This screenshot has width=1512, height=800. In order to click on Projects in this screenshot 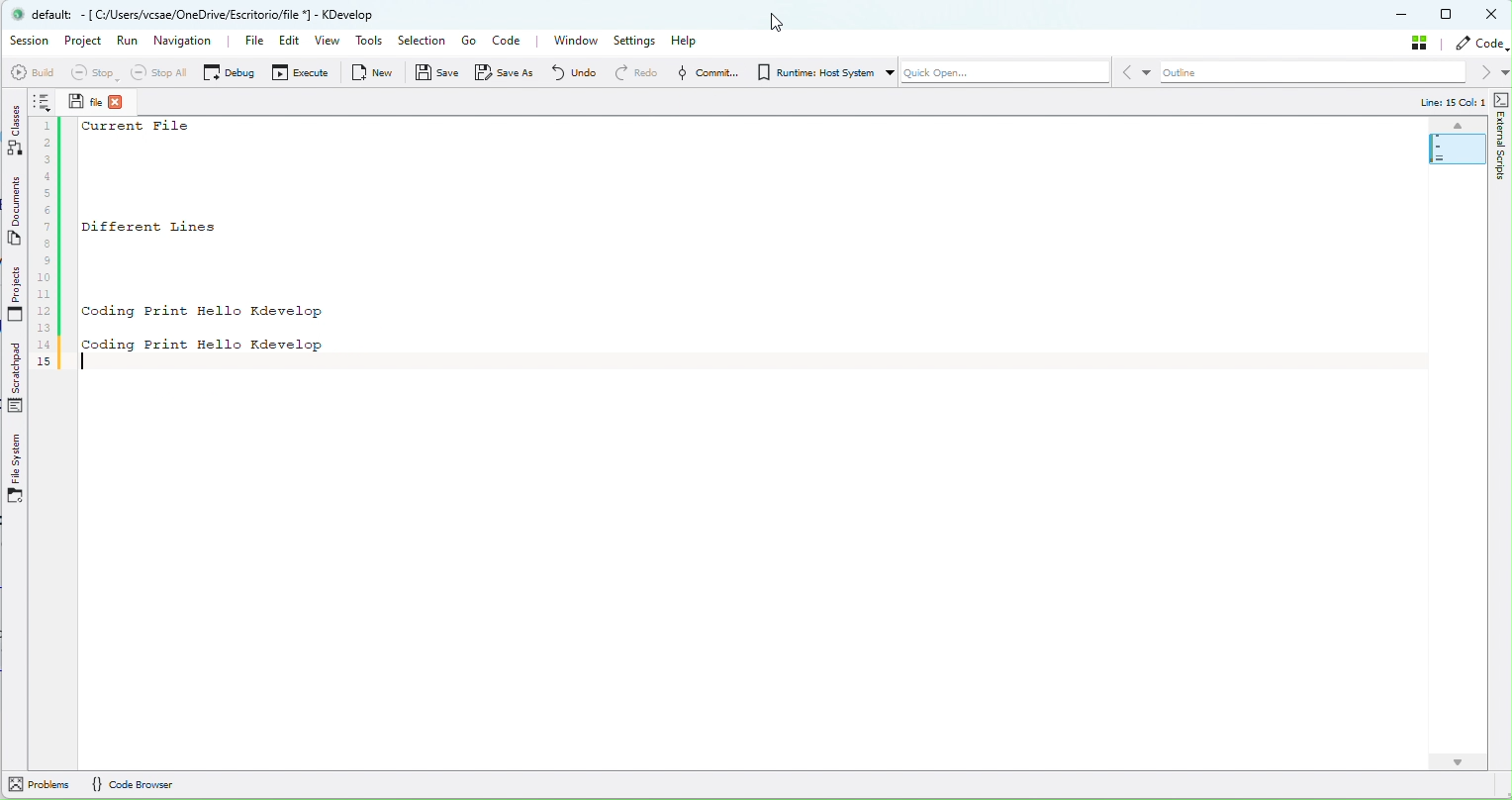, I will do `click(16, 296)`.